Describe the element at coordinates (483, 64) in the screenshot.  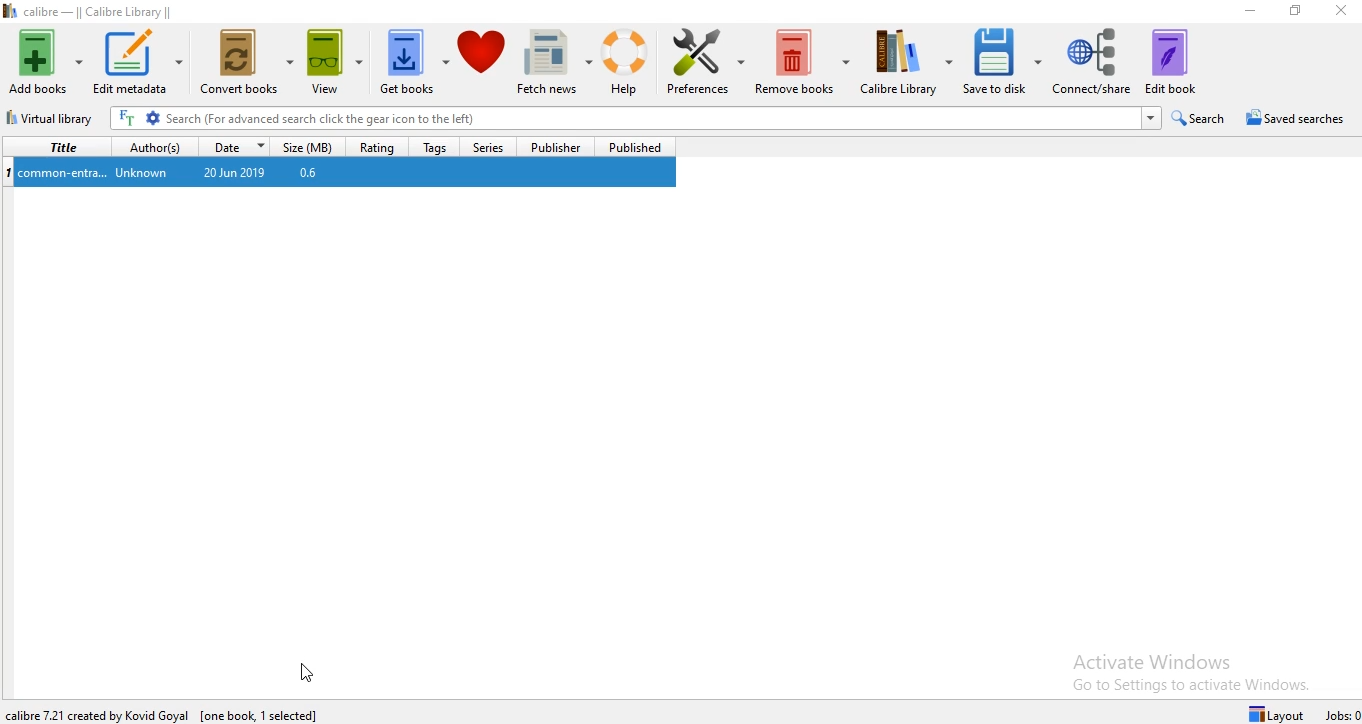
I see `Donate to support calibre` at that location.